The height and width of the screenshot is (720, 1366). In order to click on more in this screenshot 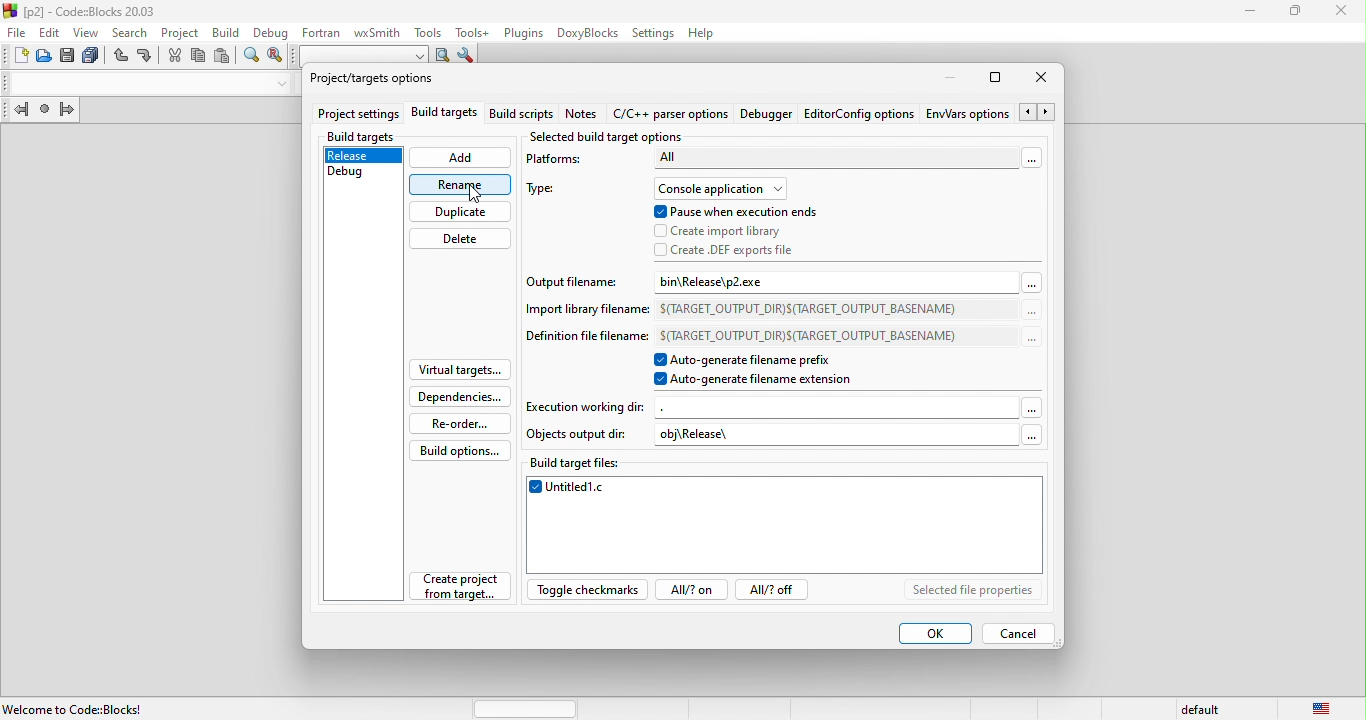, I will do `click(1029, 157)`.